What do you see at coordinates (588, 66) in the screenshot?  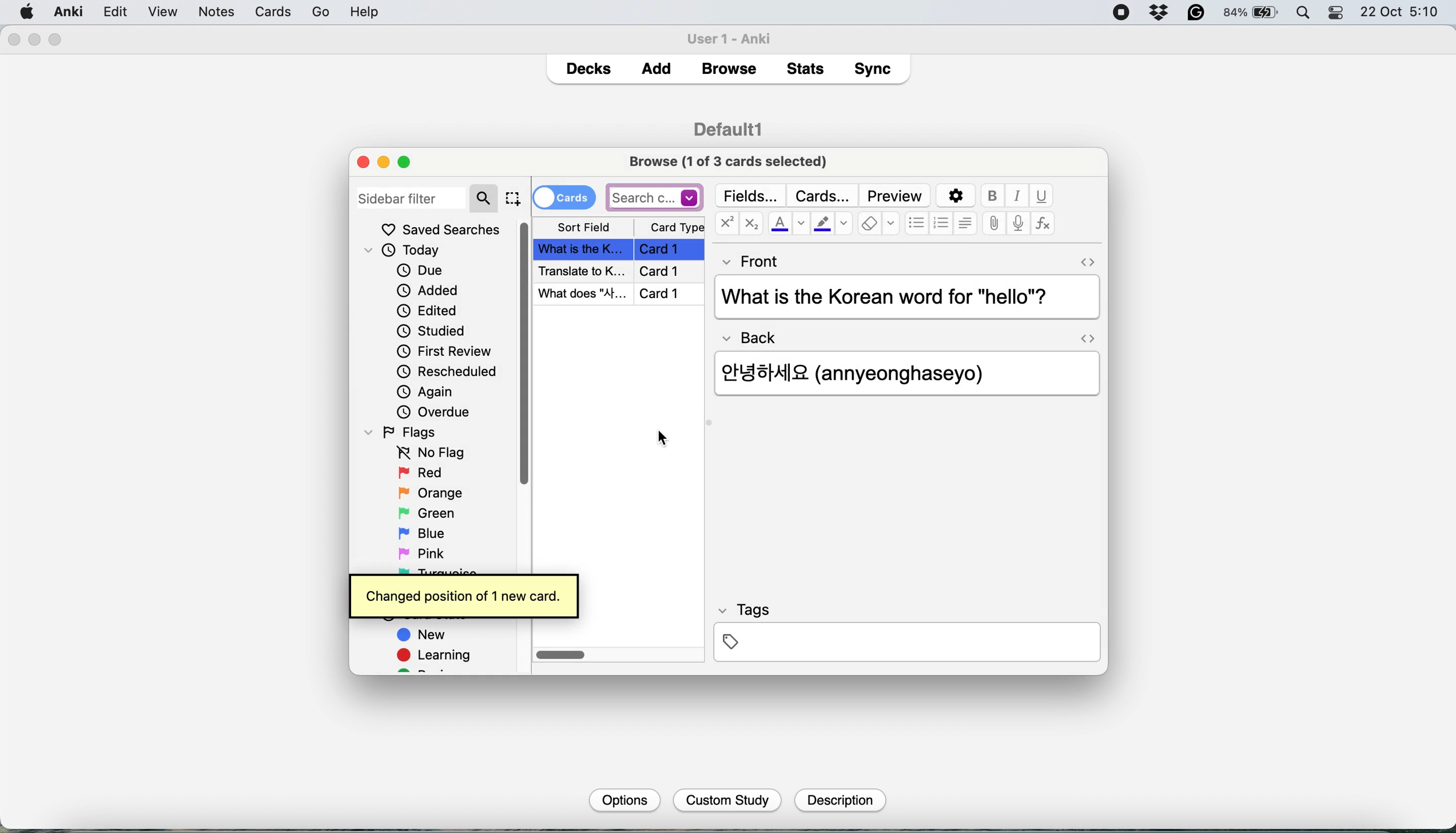 I see `Decks` at bounding box center [588, 66].